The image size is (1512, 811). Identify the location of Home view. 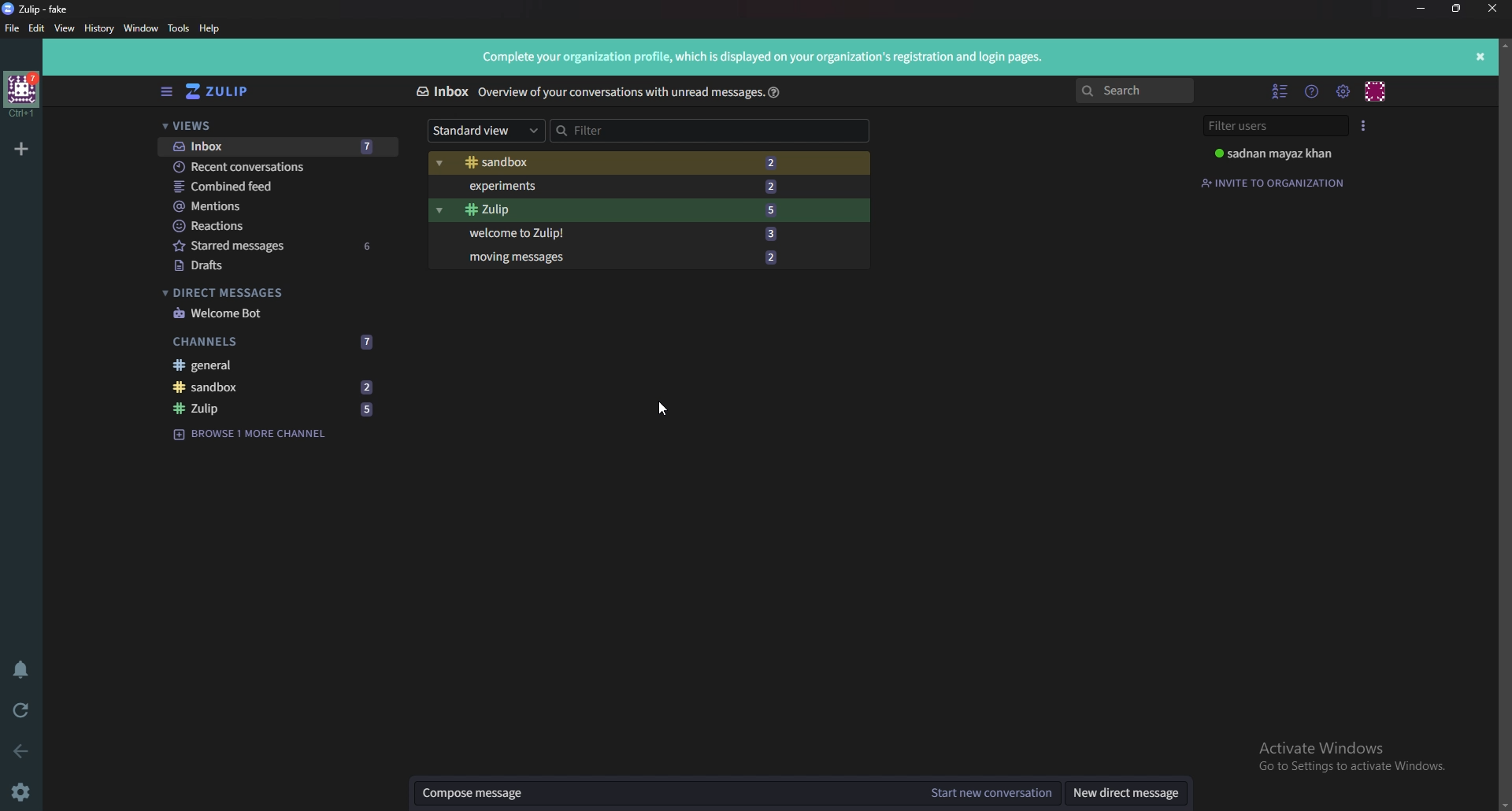
(222, 92).